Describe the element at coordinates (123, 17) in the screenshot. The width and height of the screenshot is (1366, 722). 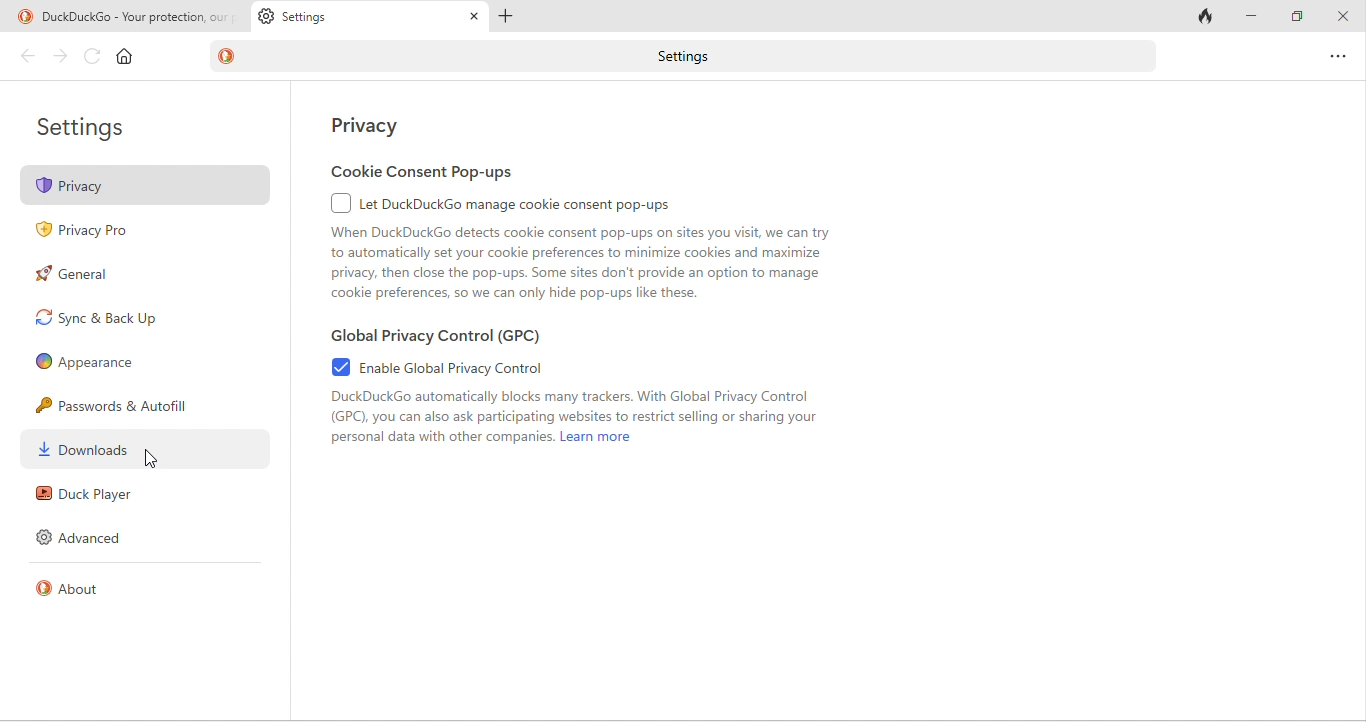
I see `DuckDuckGo - Your protection our priority` at that location.